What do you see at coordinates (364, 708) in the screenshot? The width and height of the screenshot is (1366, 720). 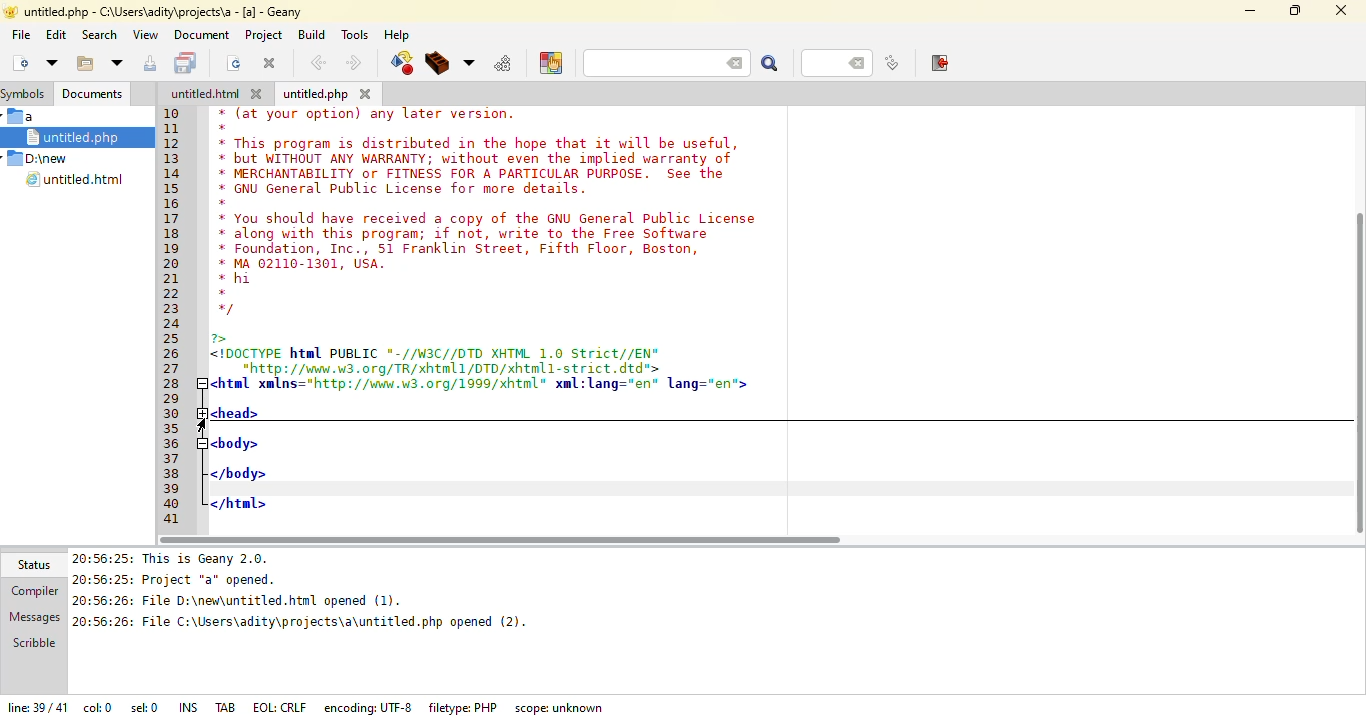 I see `encoding: UTF-8` at bounding box center [364, 708].